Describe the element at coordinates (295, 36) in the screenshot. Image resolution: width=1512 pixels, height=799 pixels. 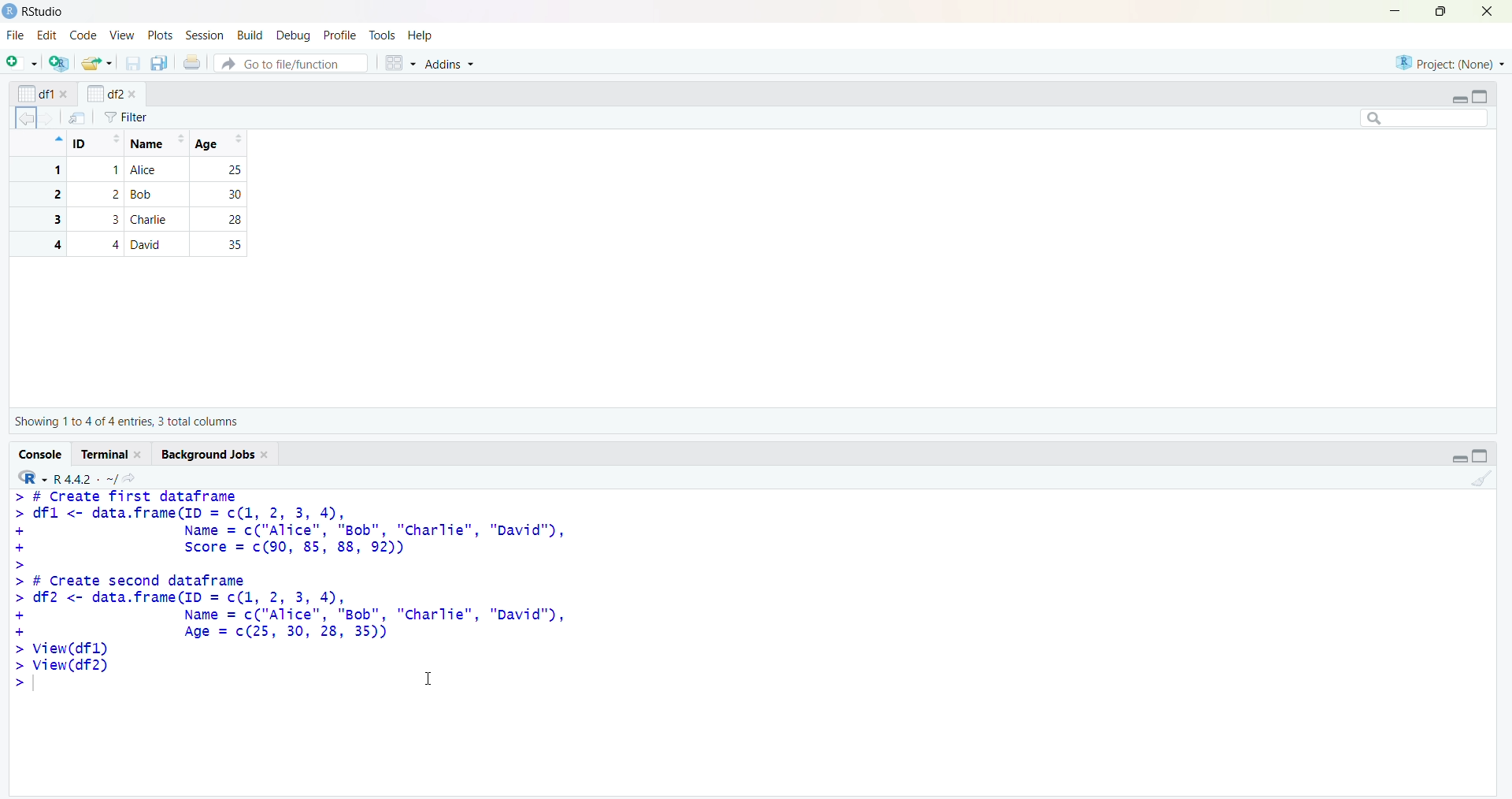
I see `debug` at that location.